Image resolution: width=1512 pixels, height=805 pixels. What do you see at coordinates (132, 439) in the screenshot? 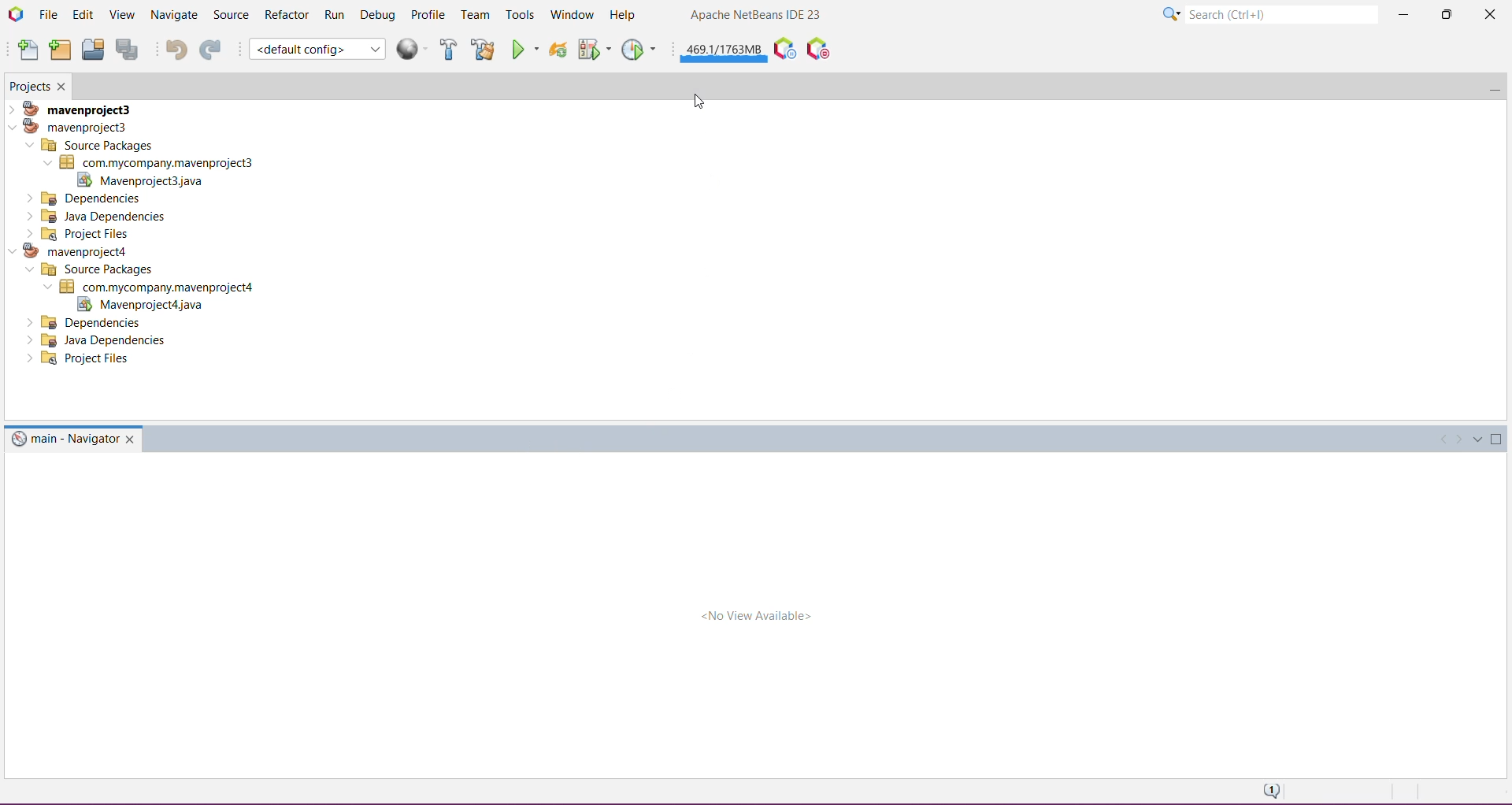
I see `Close Navigator Window` at bounding box center [132, 439].